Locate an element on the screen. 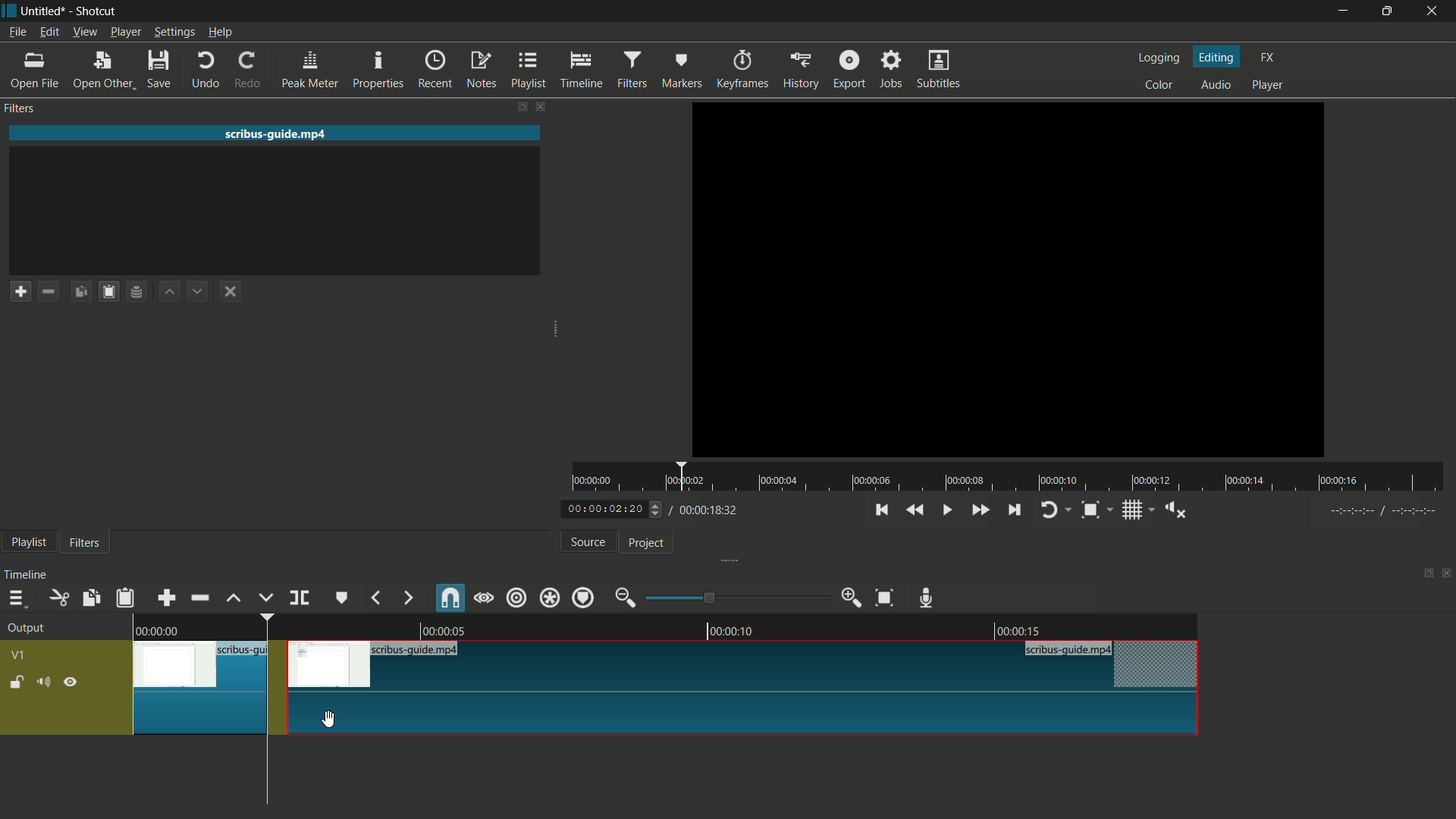 This screenshot has width=1456, height=819. recent is located at coordinates (436, 70).